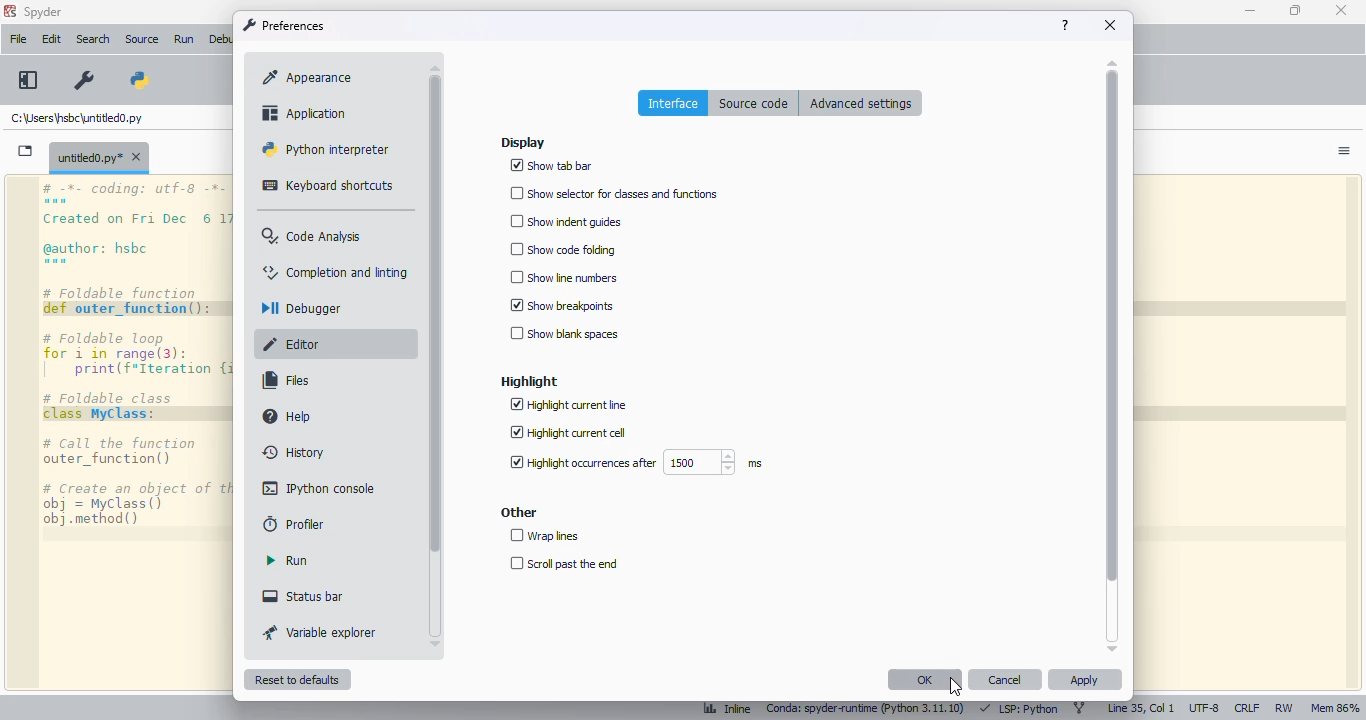 The width and height of the screenshot is (1366, 720). Describe the element at coordinates (563, 304) in the screenshot. I see `show breakpoints` at that location.